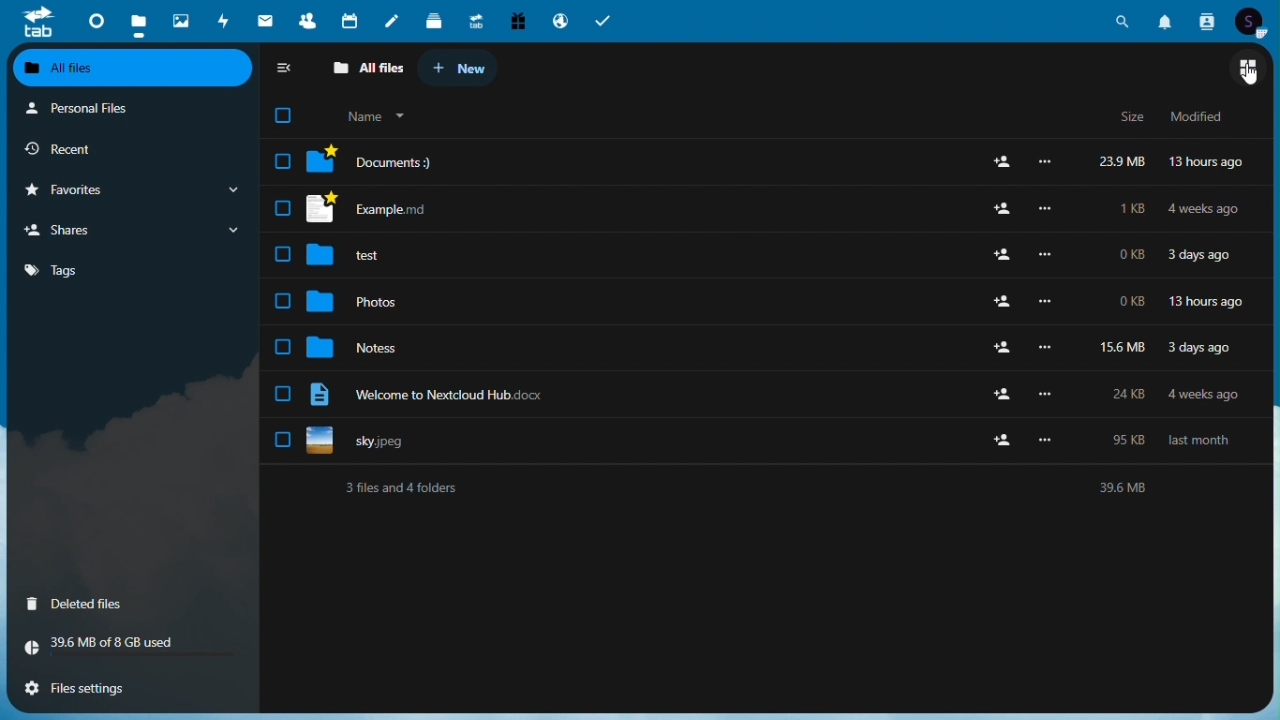 This screenshot has width=1280, height=720. I want to click on add user, so click(998, 348).